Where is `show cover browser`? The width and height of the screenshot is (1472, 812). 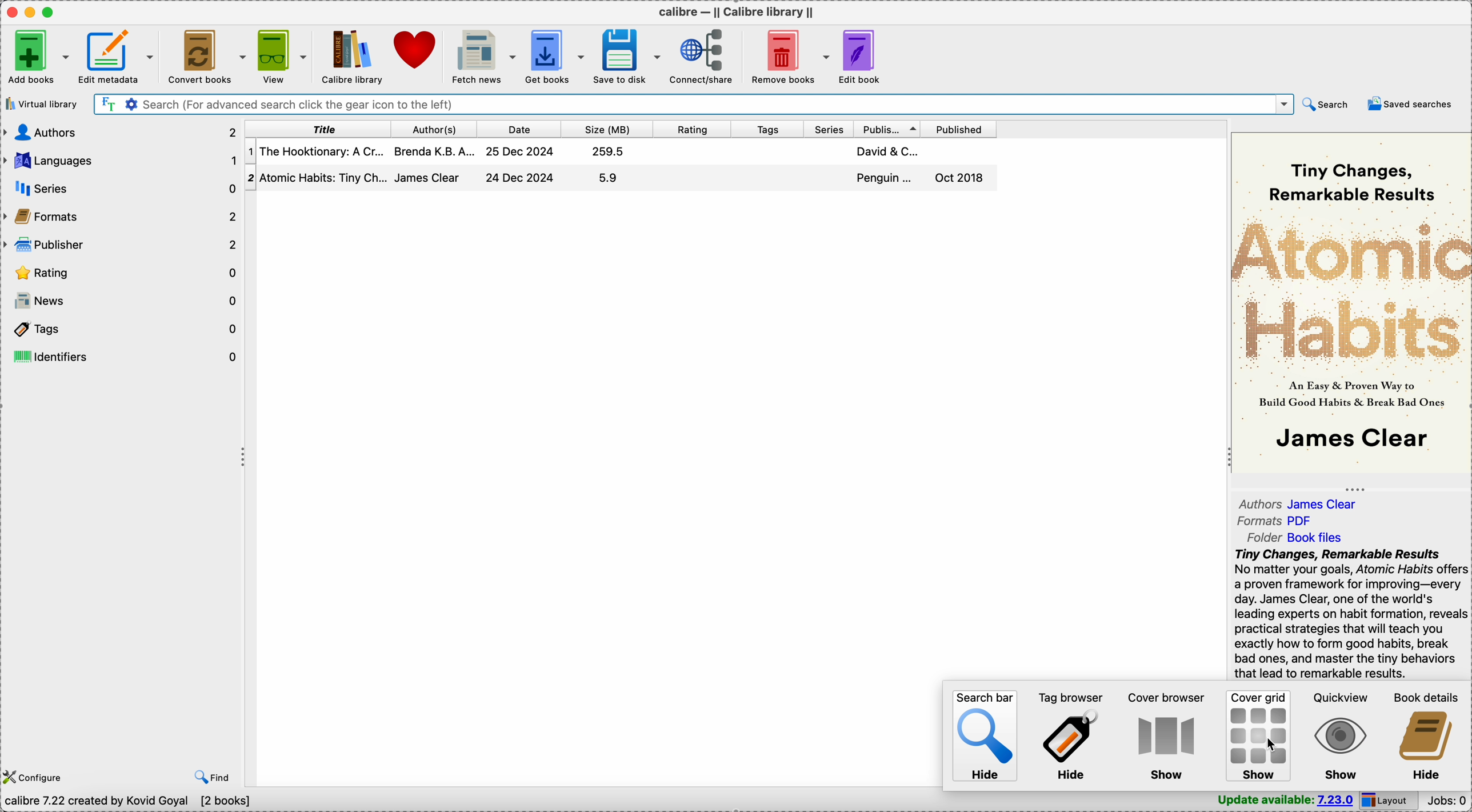
show cover browser is located at coordinates (1167, 735).